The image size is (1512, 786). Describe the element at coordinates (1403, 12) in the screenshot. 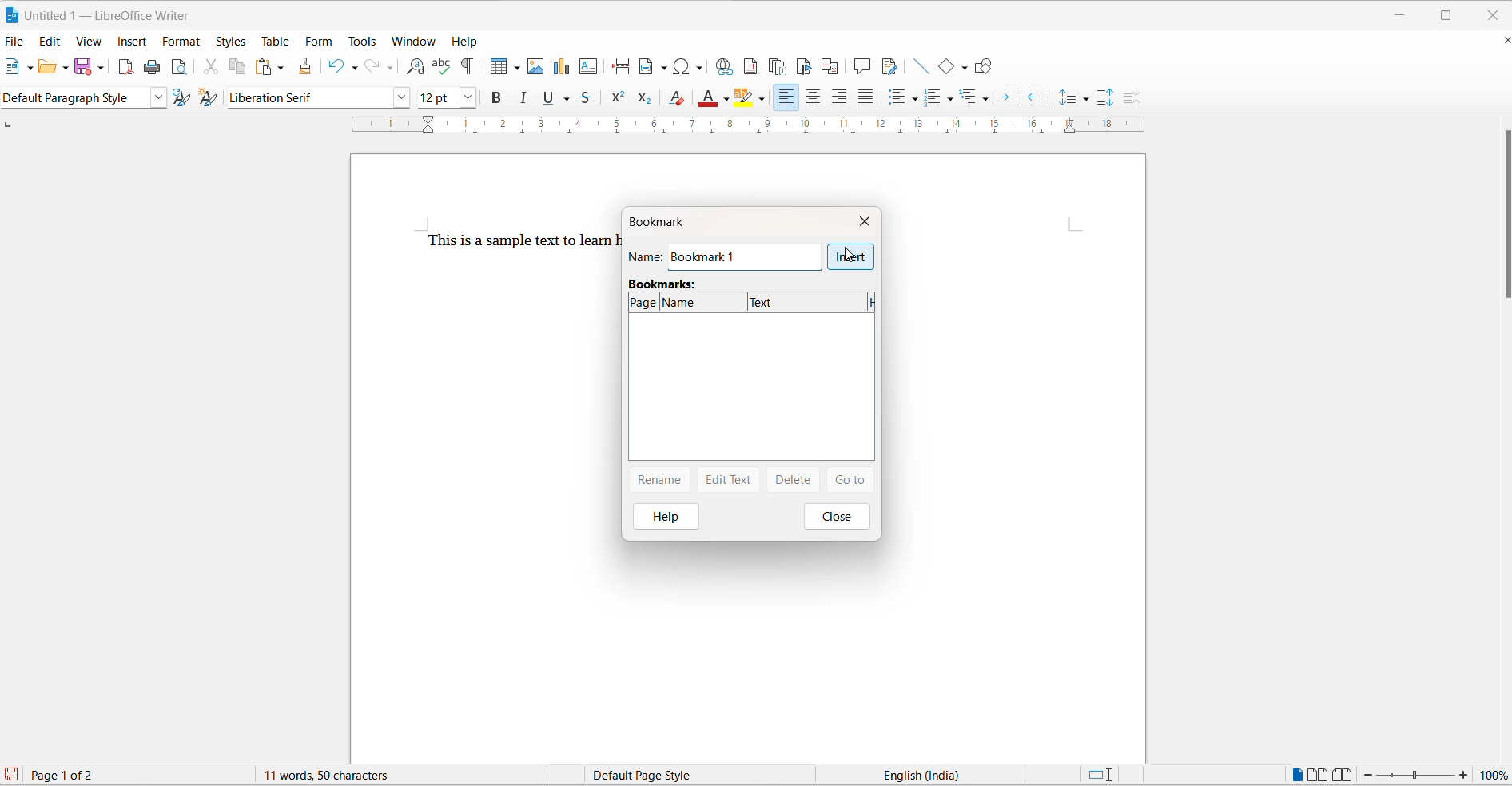

I see `minimze` at that location.